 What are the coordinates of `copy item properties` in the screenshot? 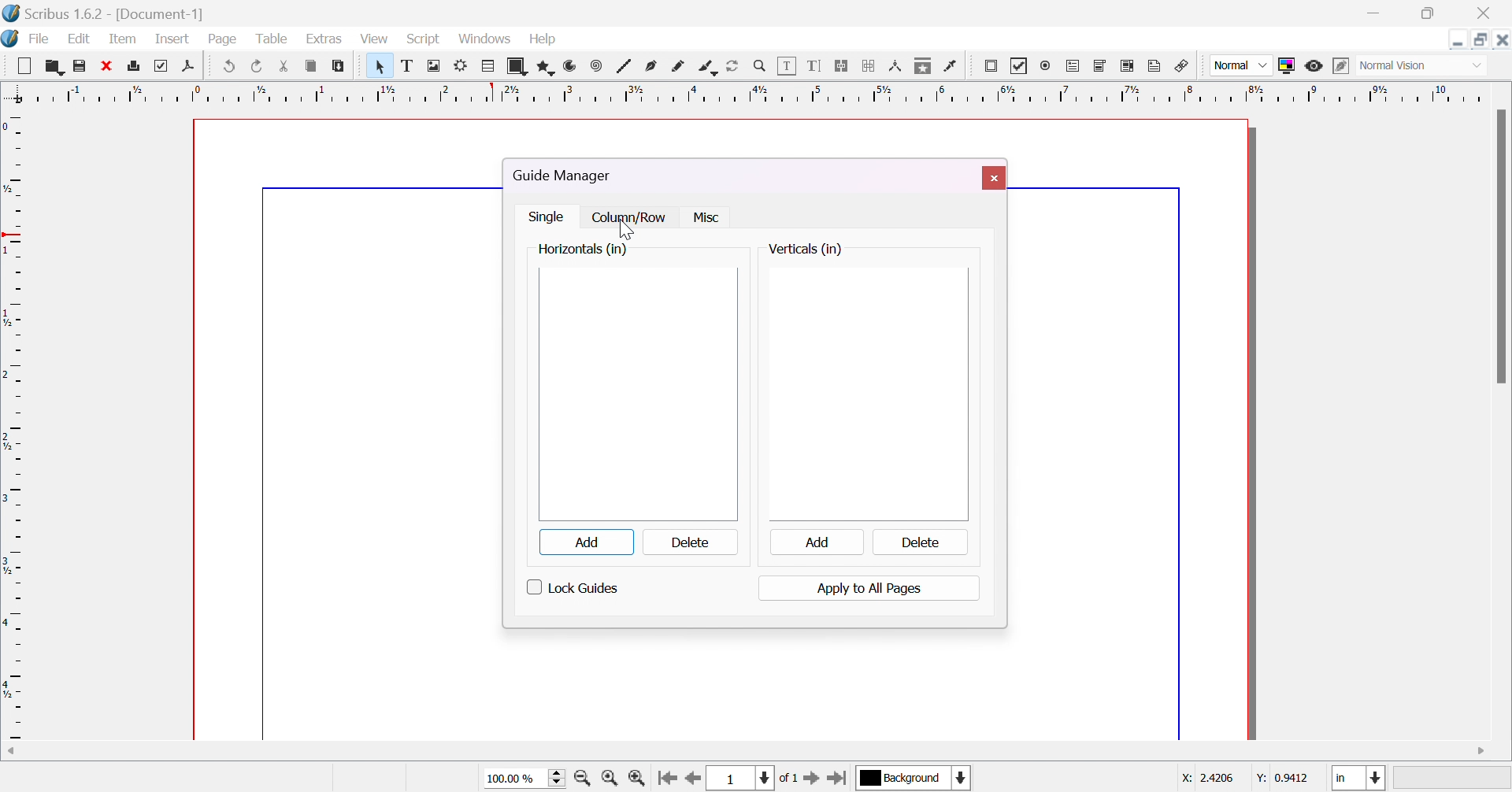 It's located at (925, 67).